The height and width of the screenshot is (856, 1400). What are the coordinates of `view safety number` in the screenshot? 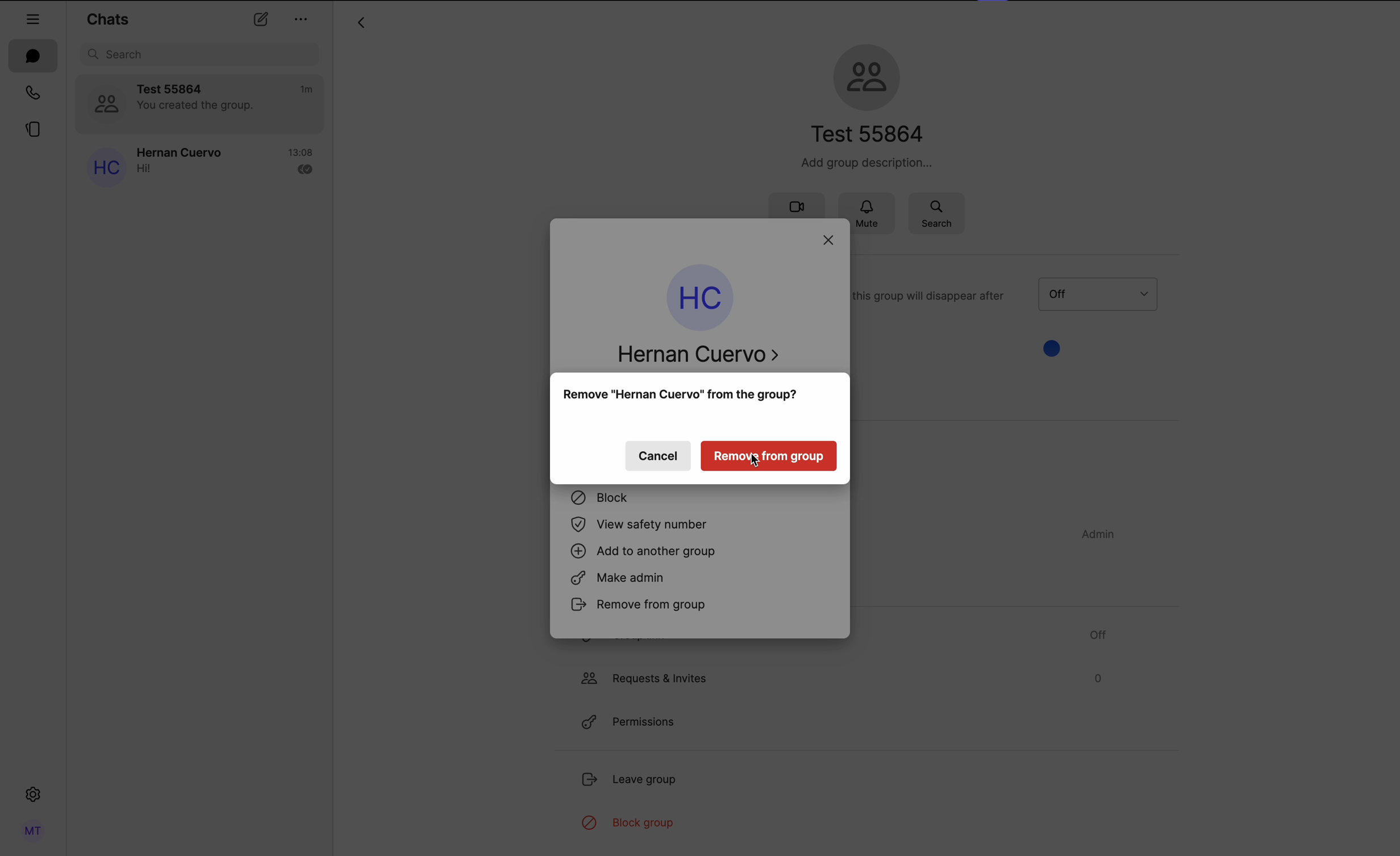 It's located at (644, 525).